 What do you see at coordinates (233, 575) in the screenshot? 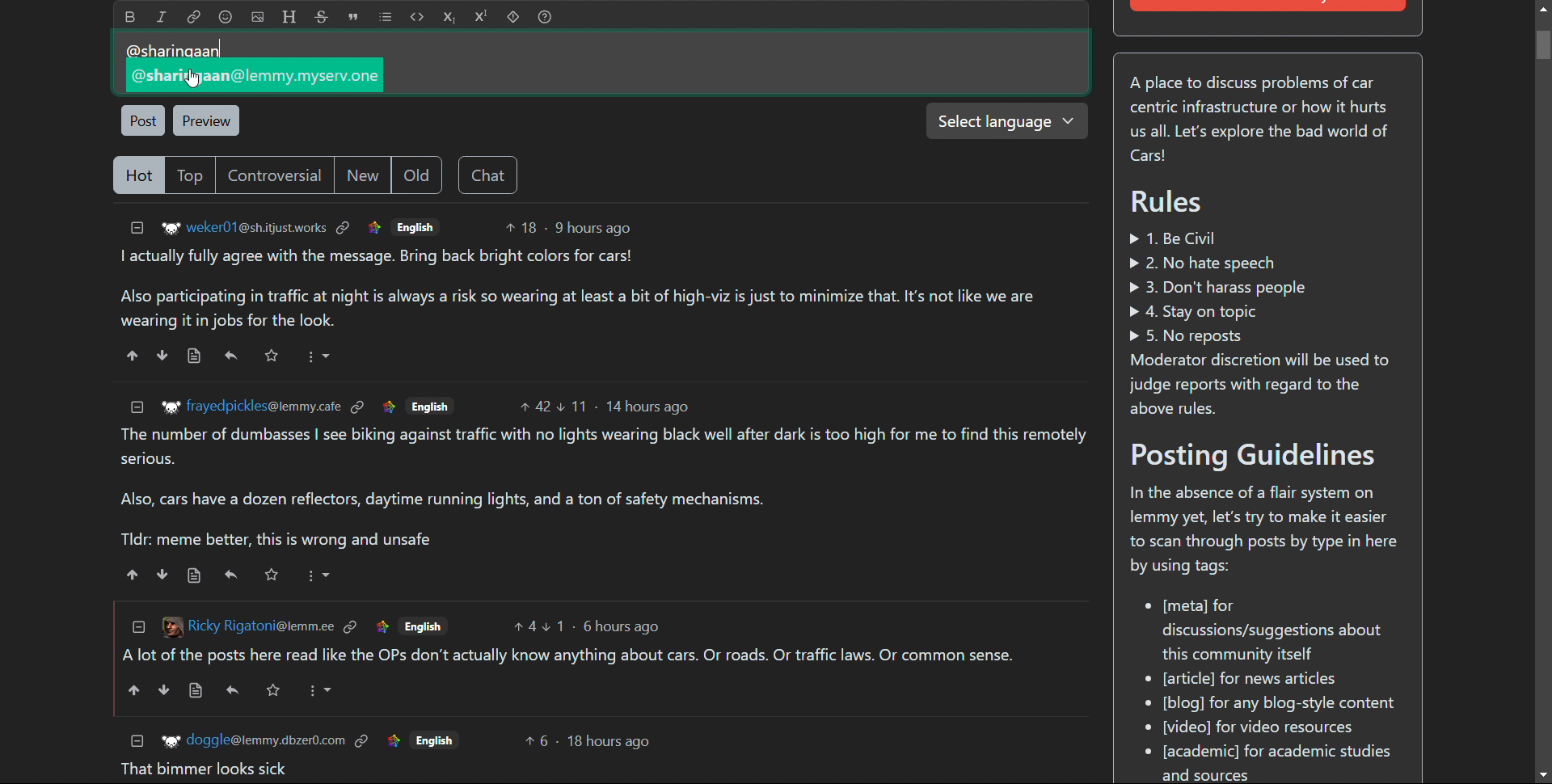
I see `reply` at bounding box center [233, 575].